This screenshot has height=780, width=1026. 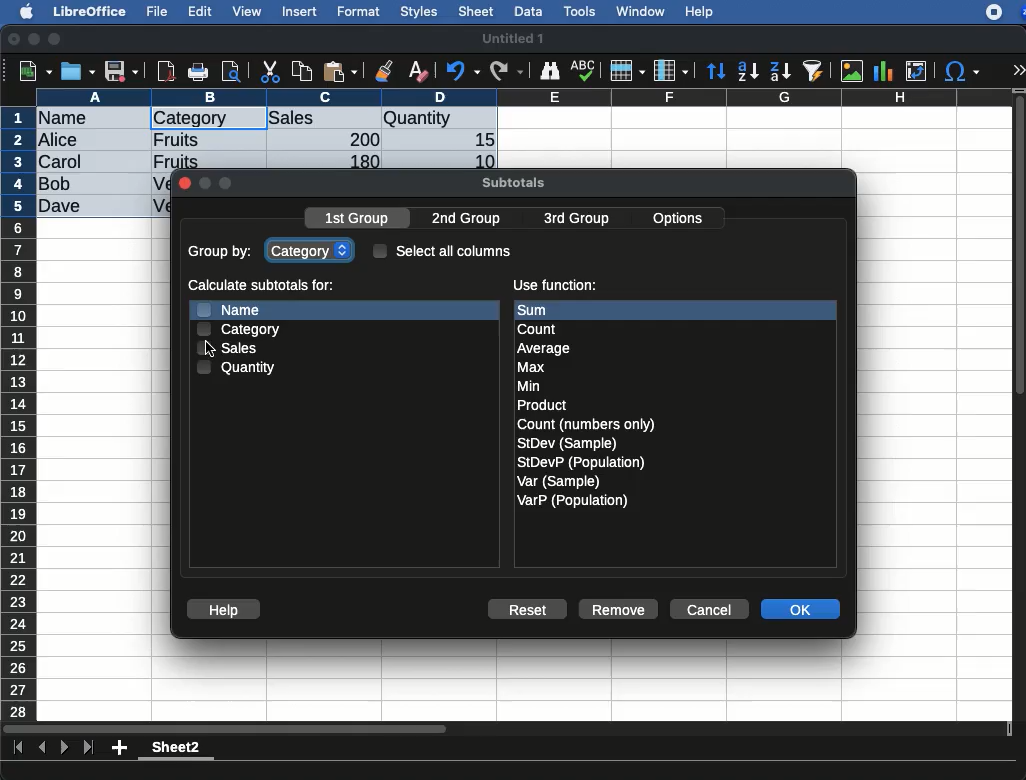 What do you see at coordinates (176, 750) in the screenshot?
I see `sheet 2` at bounding box center [176, 750].